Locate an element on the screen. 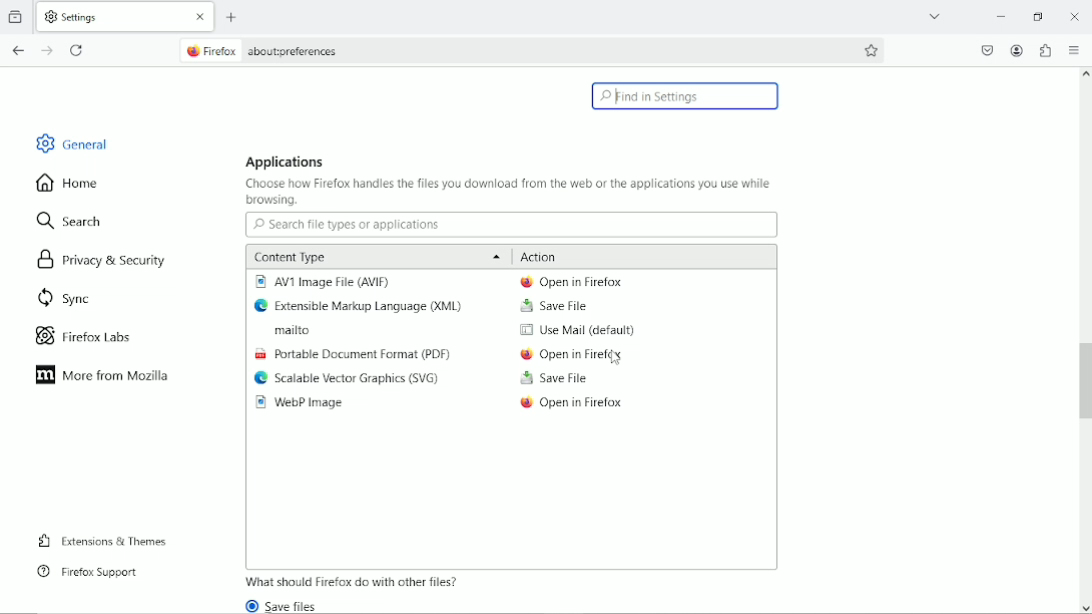 The image size is (1092, 614). Reload current tab is located at coordinates (77, 52).